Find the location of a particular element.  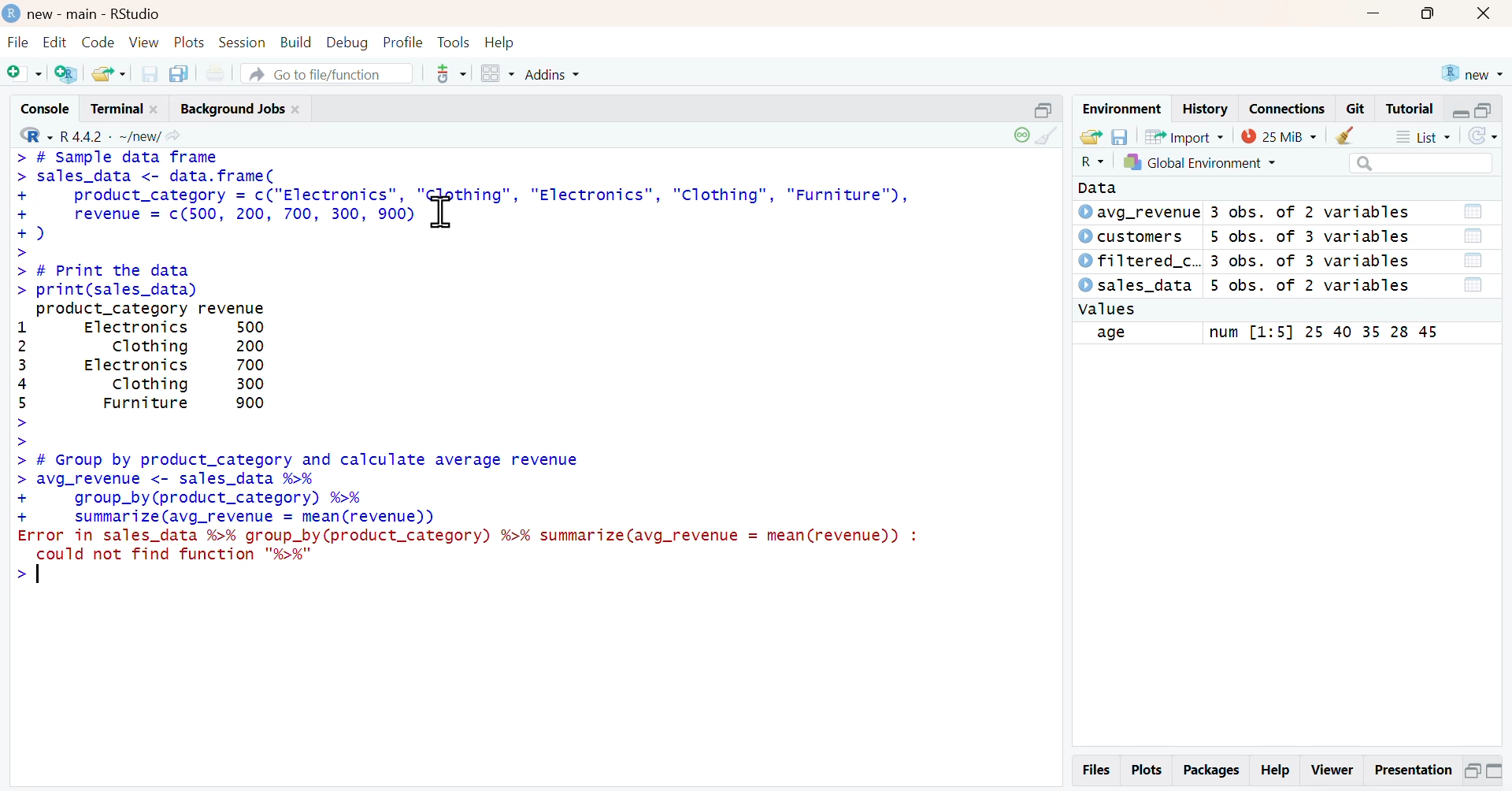

Packages is located at coordinates (1210, 771).